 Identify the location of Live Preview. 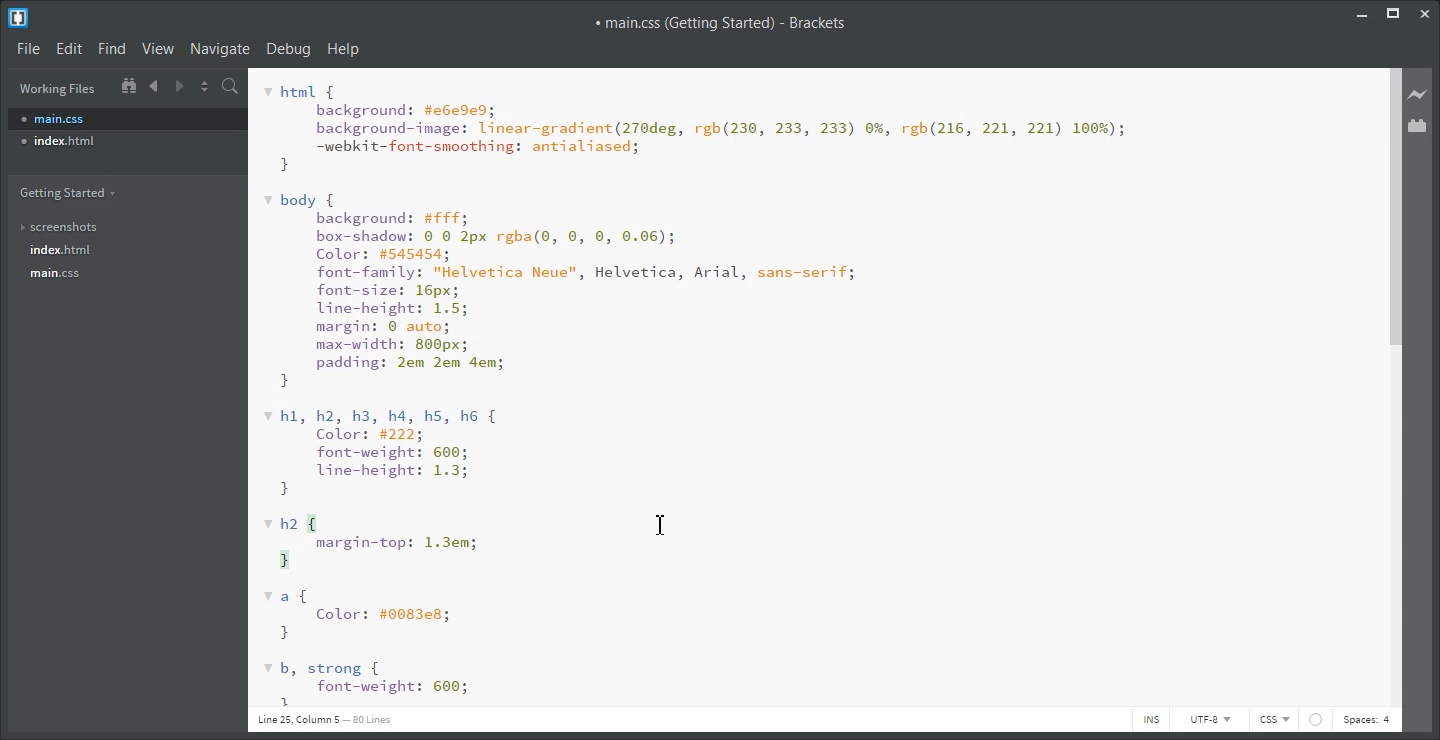
(1418, 95).